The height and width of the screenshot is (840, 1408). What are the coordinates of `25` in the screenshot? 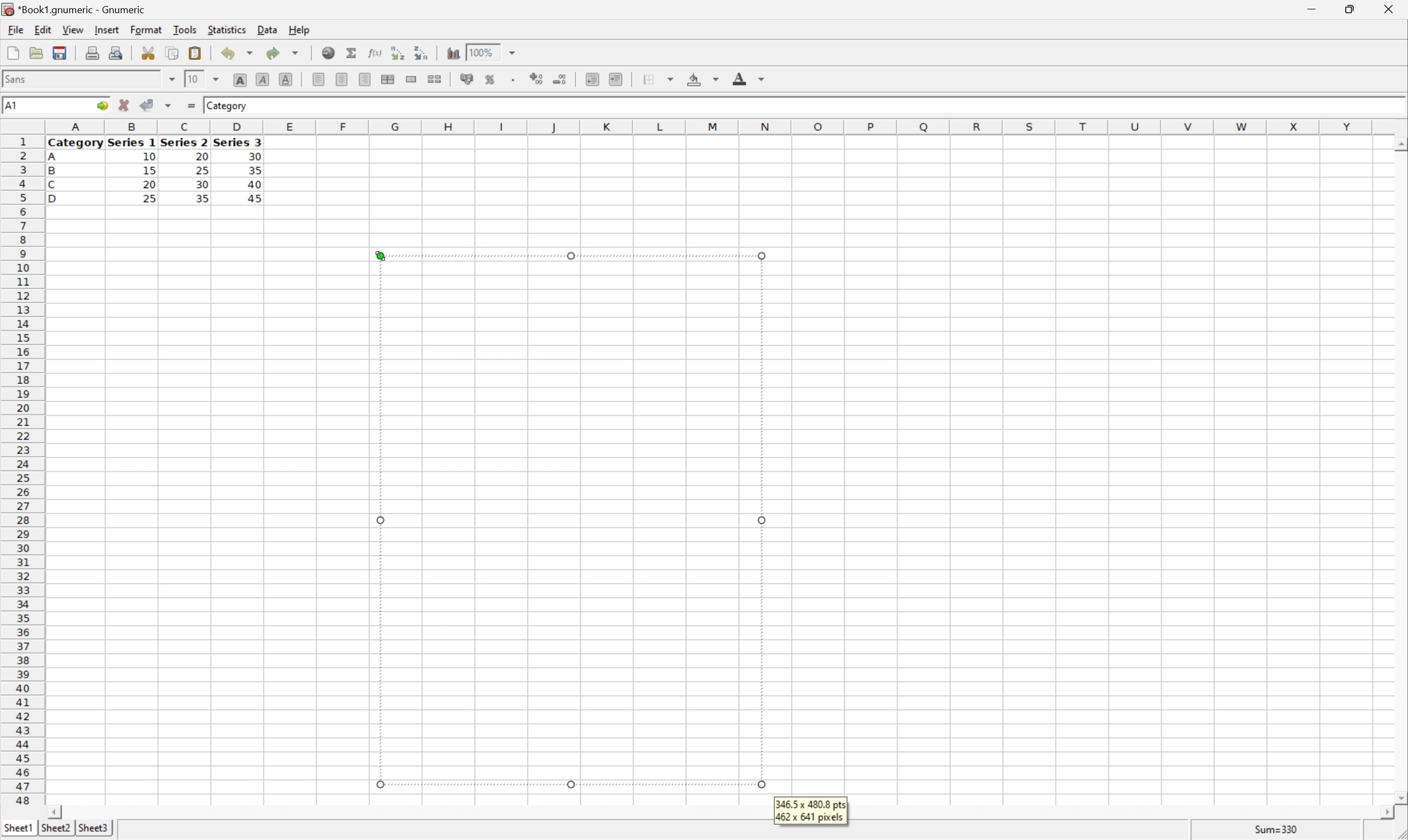 It's located at (149, 199).